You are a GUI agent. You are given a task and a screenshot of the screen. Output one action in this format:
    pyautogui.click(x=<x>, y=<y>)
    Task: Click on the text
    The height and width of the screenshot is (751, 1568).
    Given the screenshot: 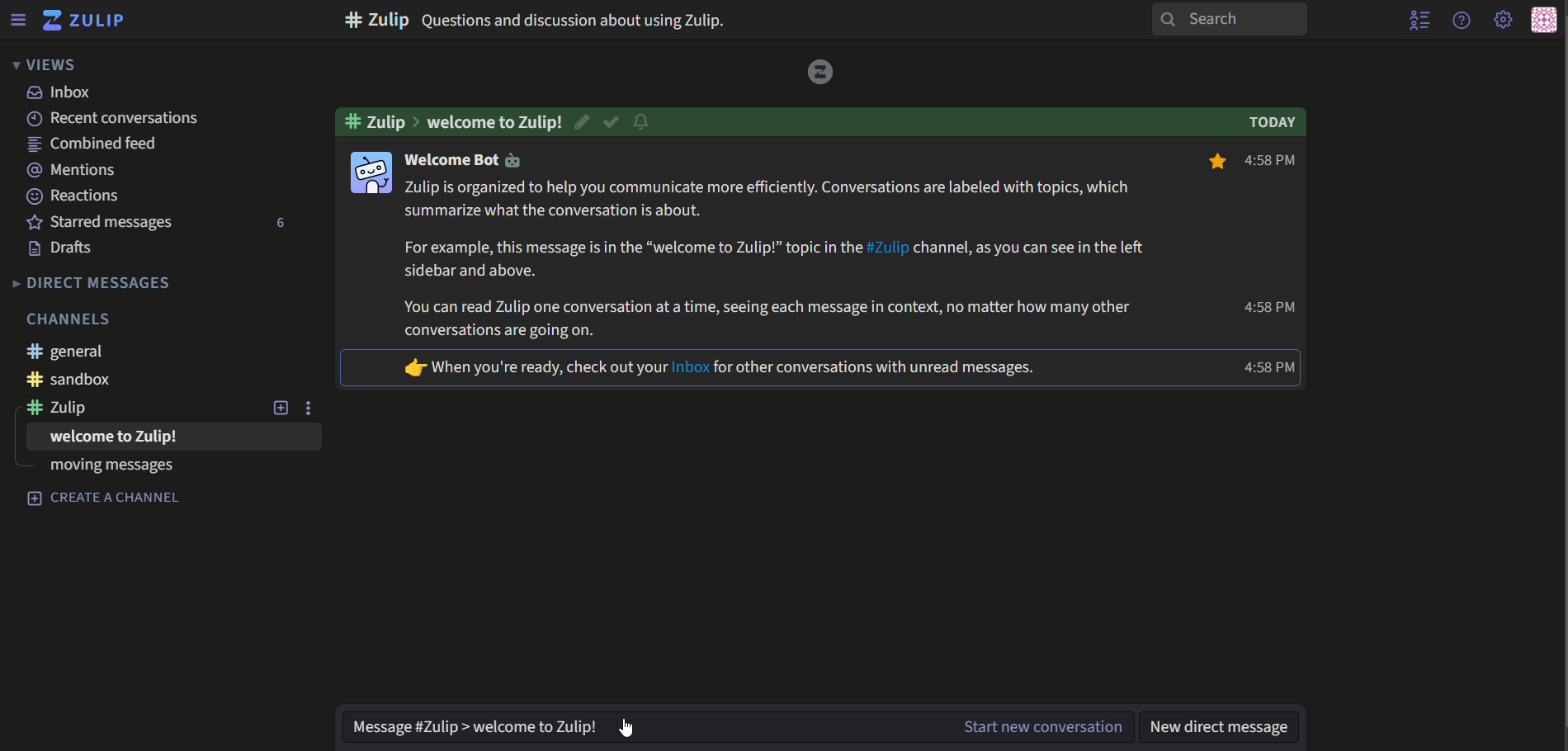 What is the action you would take?
    pyautogui.click(x=778, y=260)
    